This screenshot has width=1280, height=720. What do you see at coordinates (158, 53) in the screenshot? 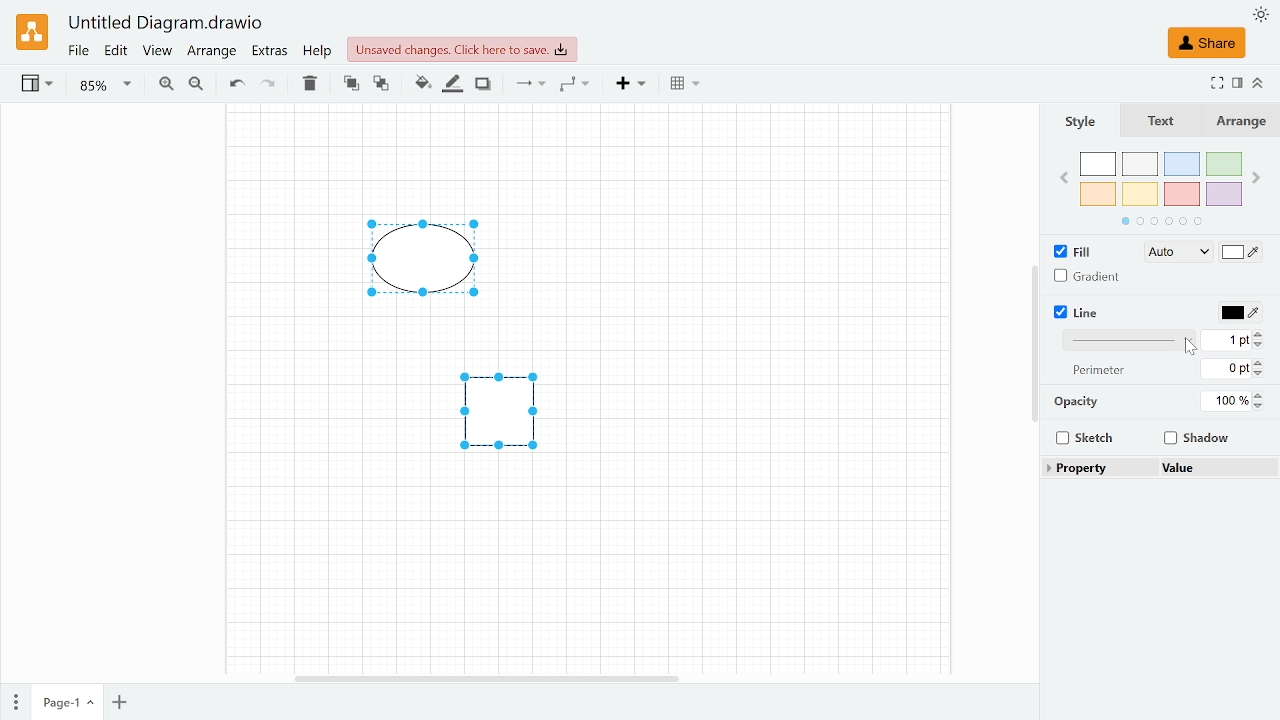
I see `View` at bounding box center [158, 53].